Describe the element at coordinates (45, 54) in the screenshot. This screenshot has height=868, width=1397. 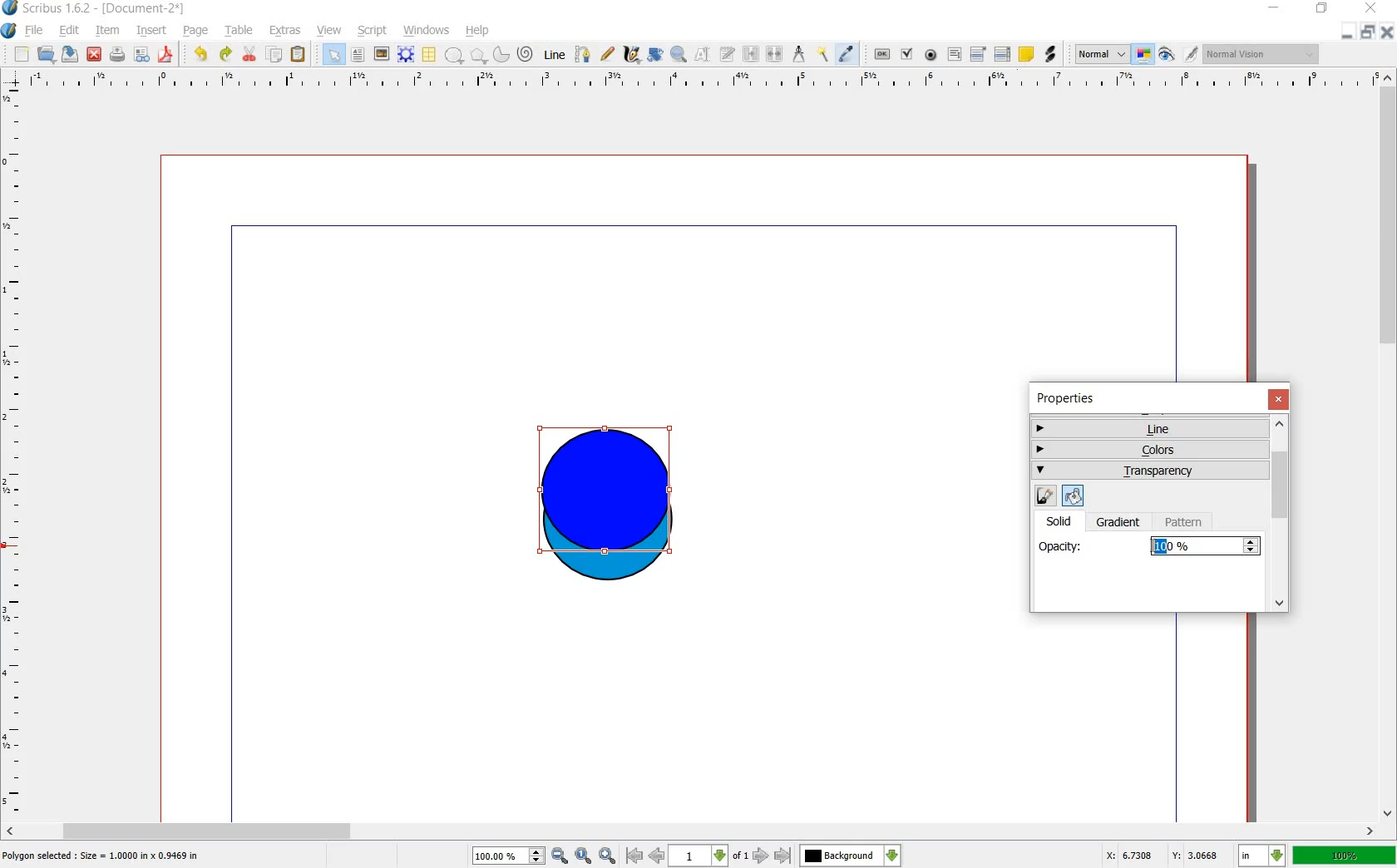
I see `open` at that location.